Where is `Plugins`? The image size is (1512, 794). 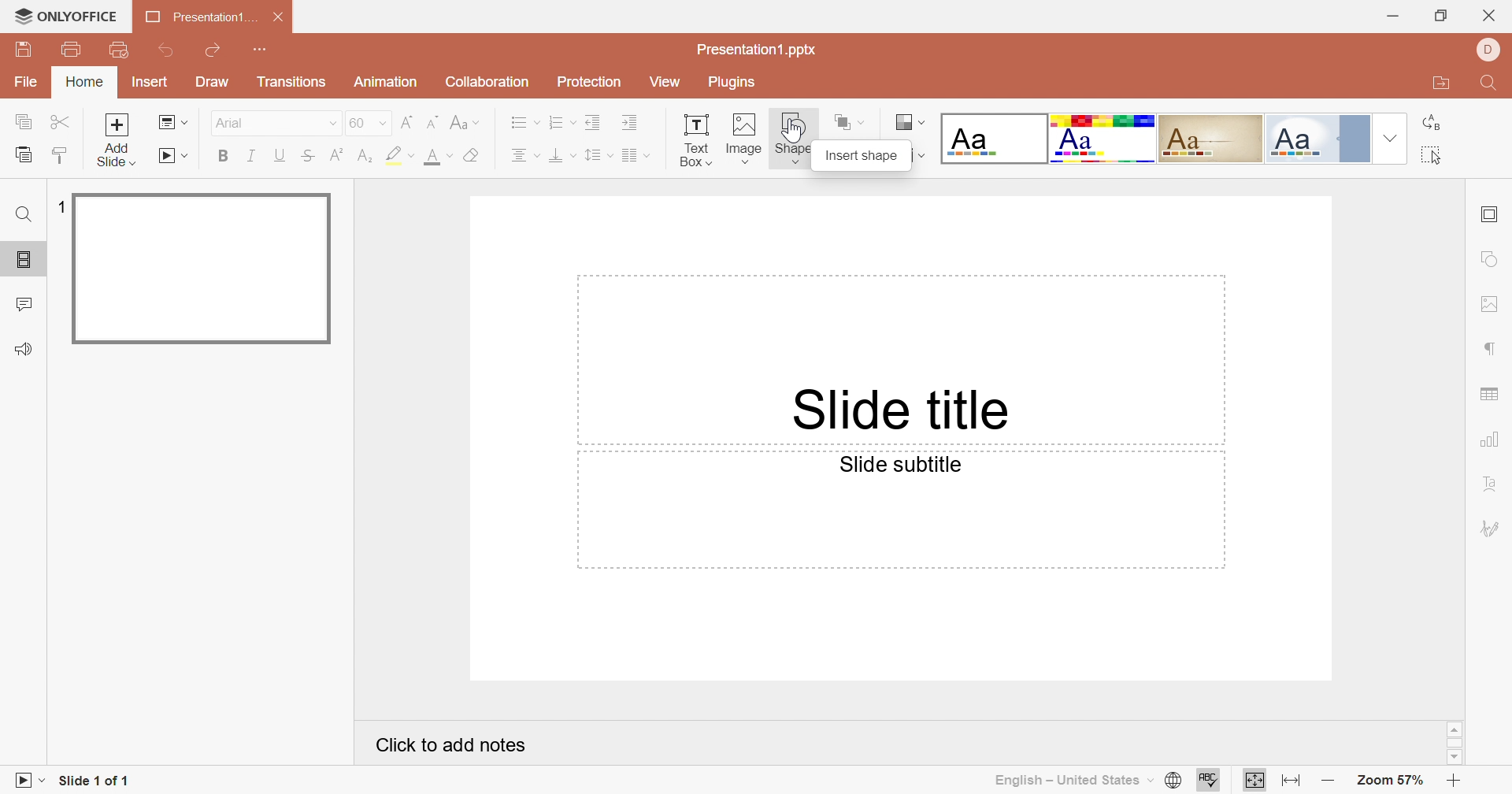 Plugins is located at coordinates (732, 82).